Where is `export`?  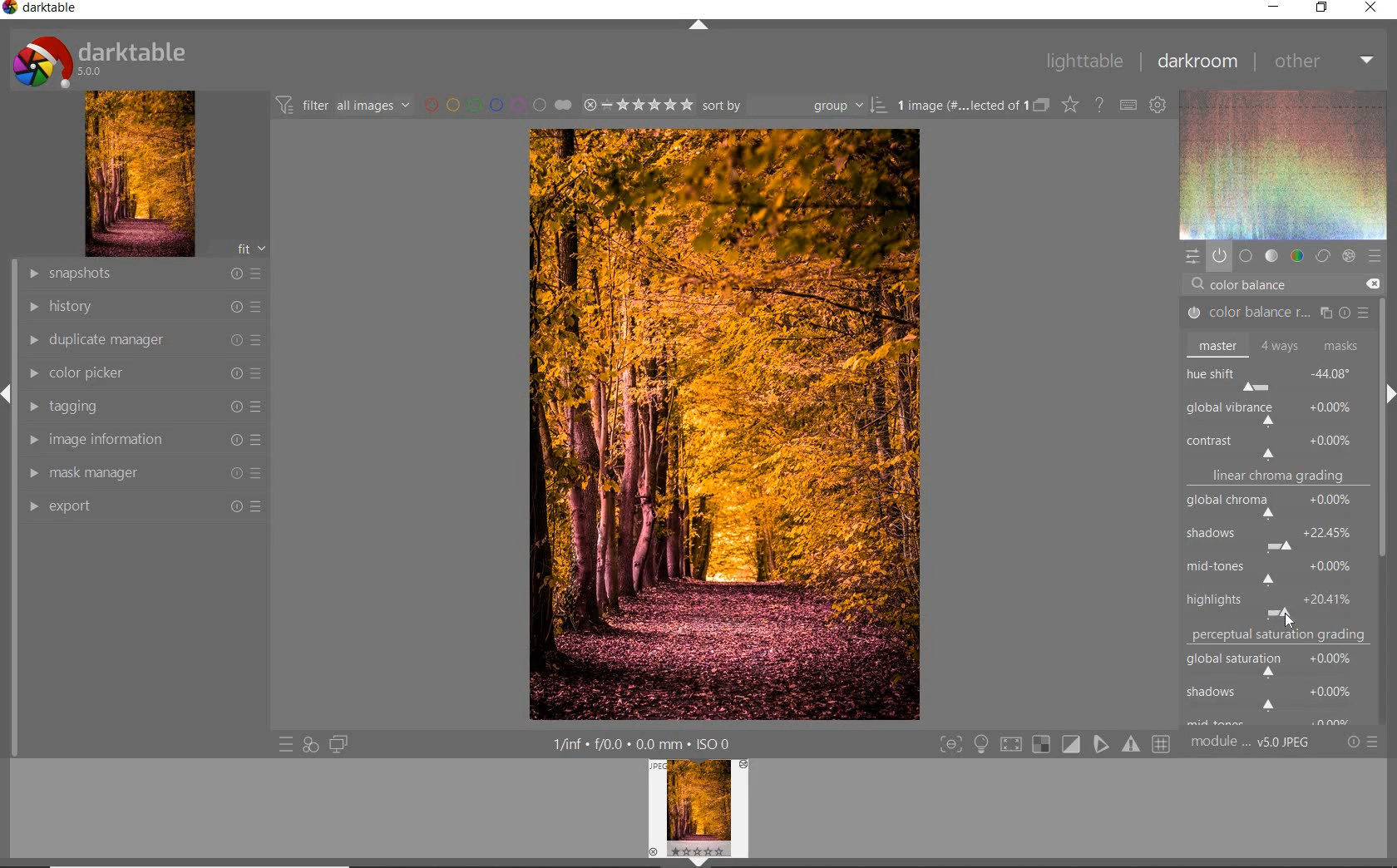
export is located at coordinates (146, 506).